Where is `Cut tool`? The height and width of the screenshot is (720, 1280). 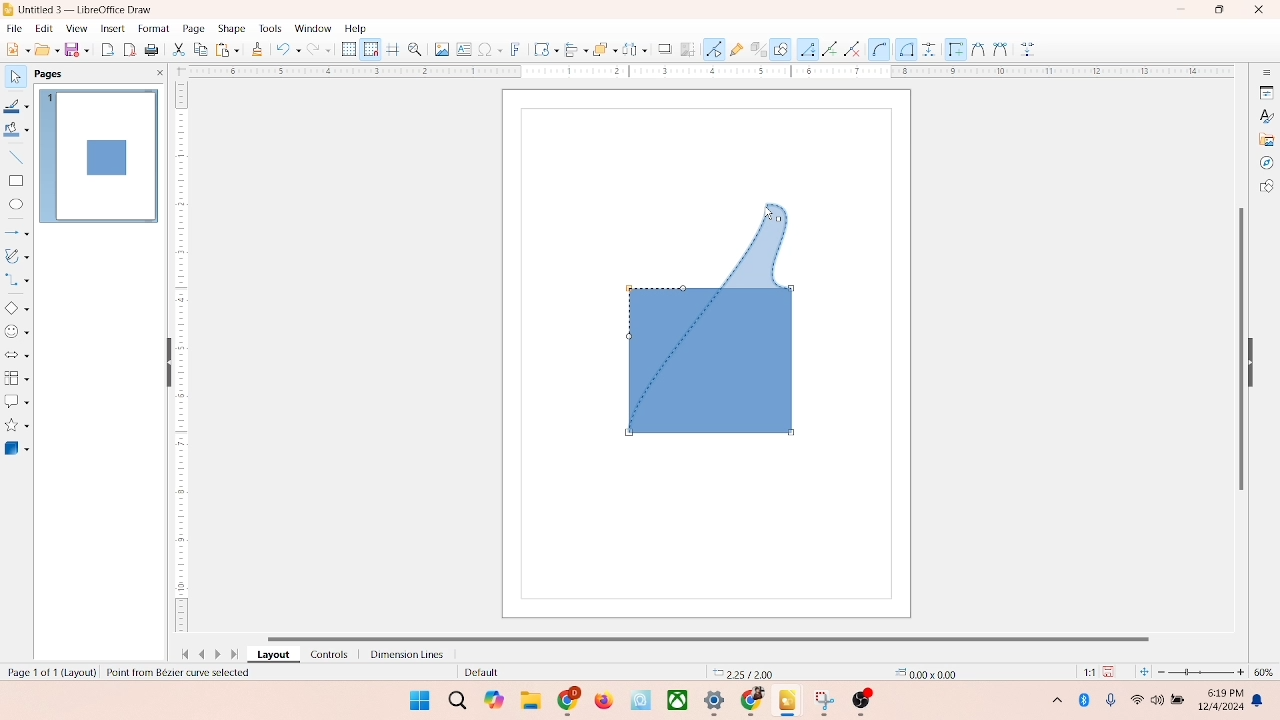 Cut tool is located at coordinates (973, 48).